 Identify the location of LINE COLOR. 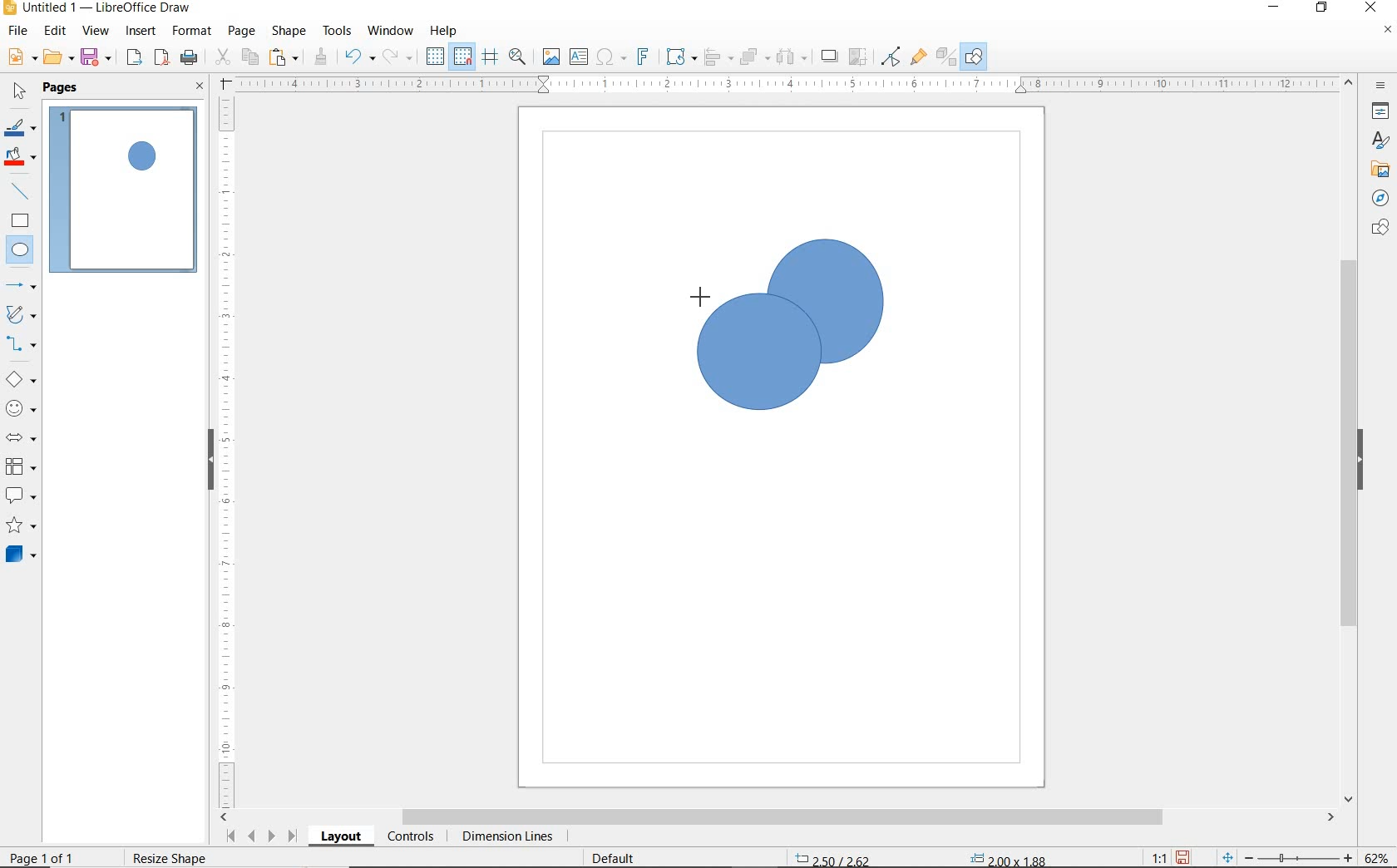
(20, 127).